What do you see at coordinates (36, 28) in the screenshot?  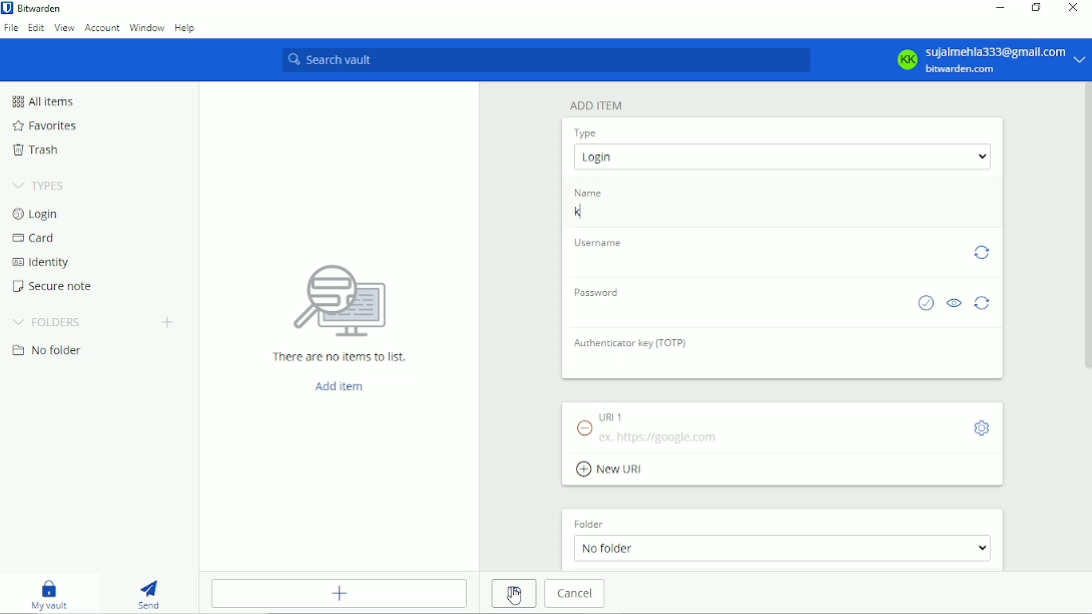 I see `Edit` at bounding box center [36, 28].